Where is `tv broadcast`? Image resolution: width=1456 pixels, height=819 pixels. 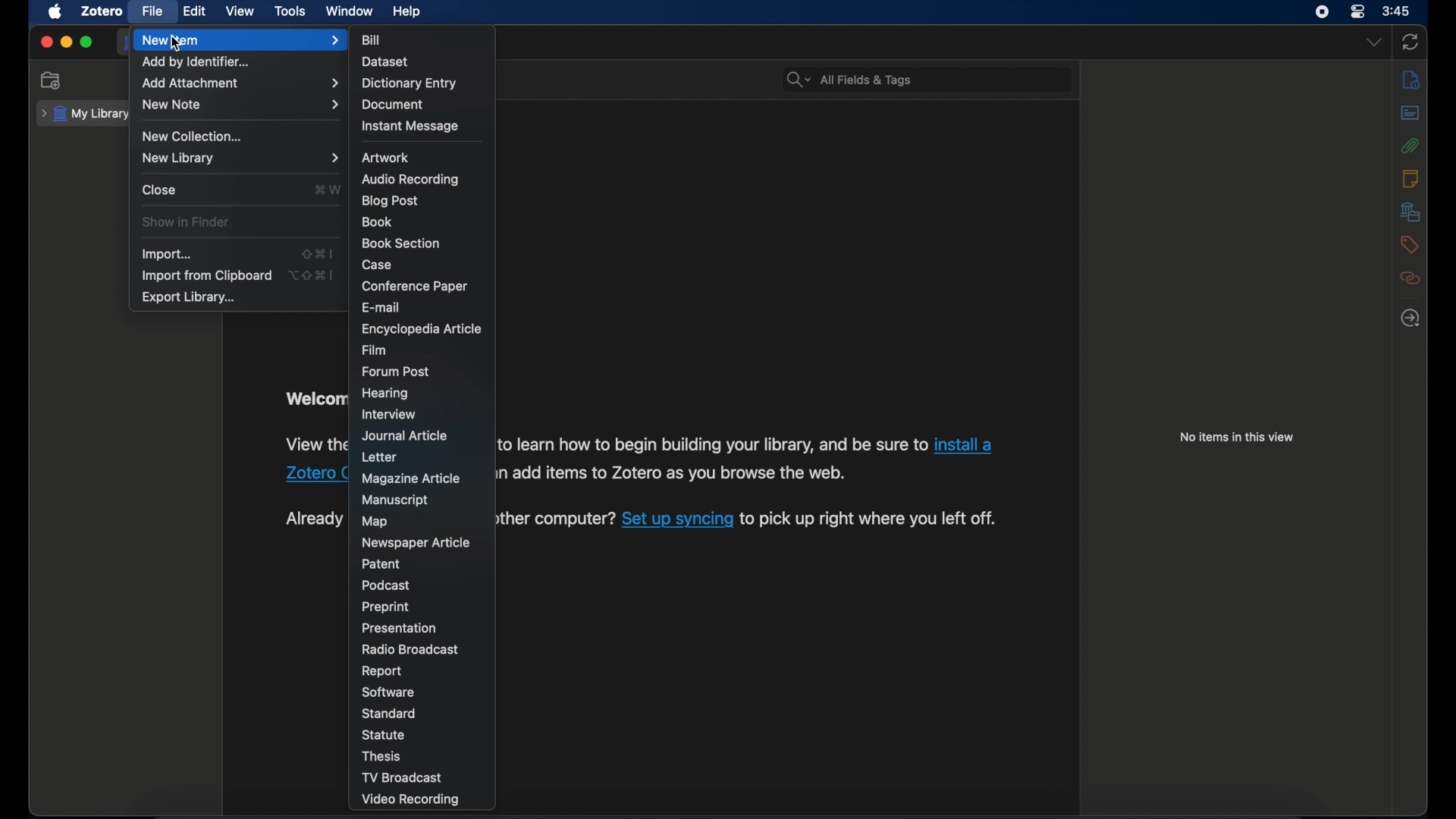
tv broadcast is located at coordinates (401, 777).